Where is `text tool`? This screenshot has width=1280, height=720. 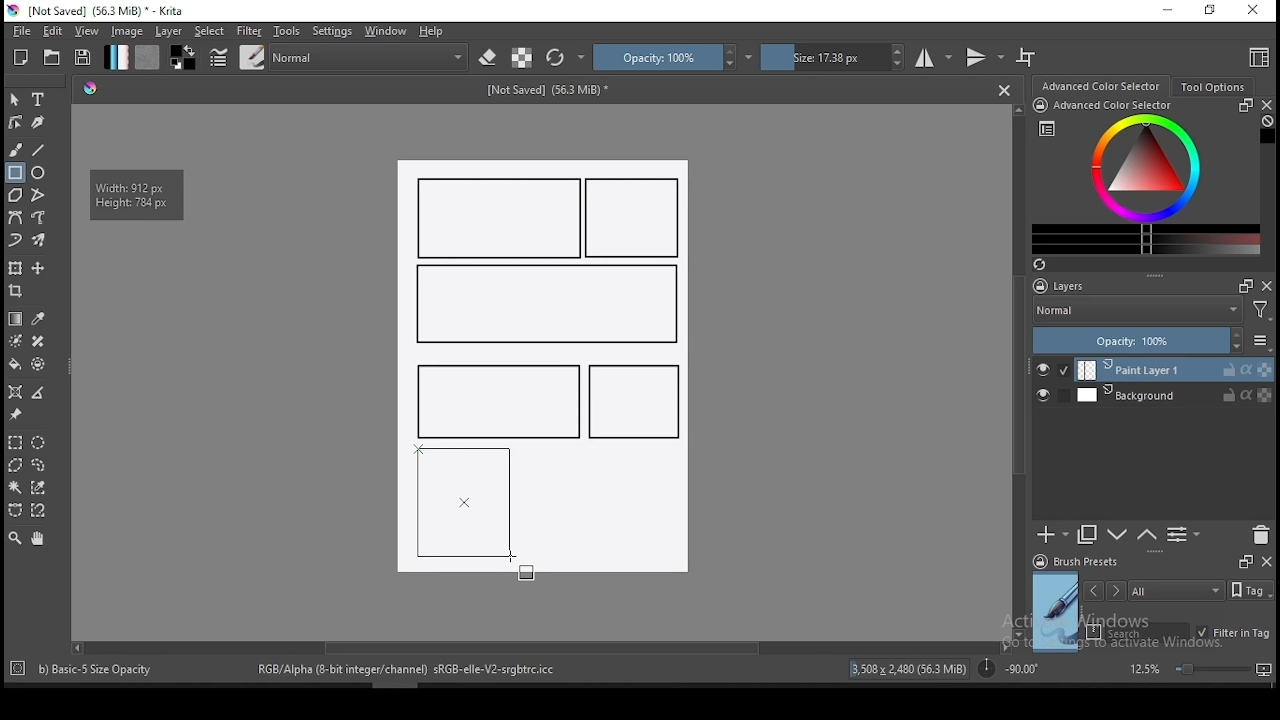 text tool is located at coordinates (39, 100).